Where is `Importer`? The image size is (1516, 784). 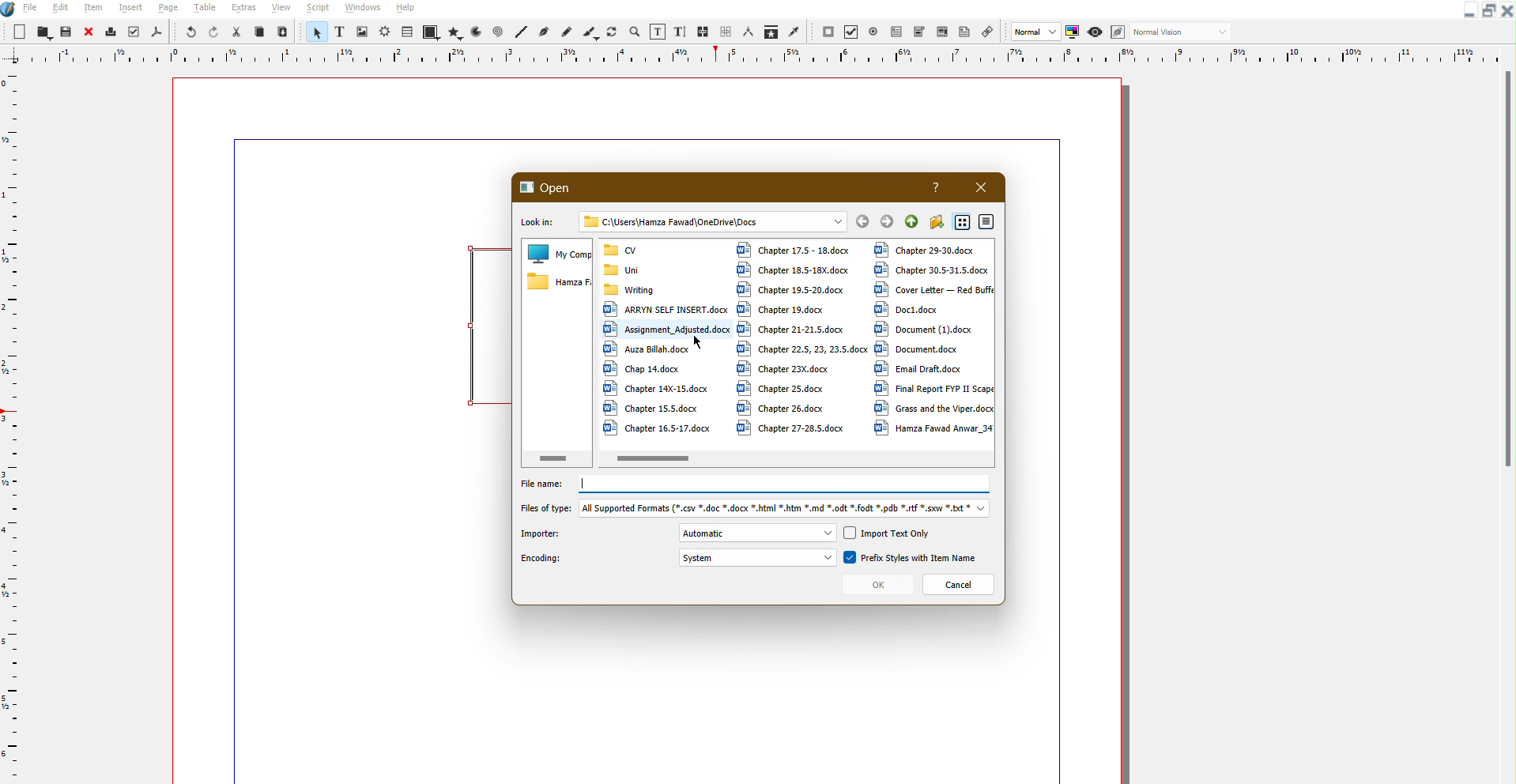 Importer is located at coordinates (742, 535).